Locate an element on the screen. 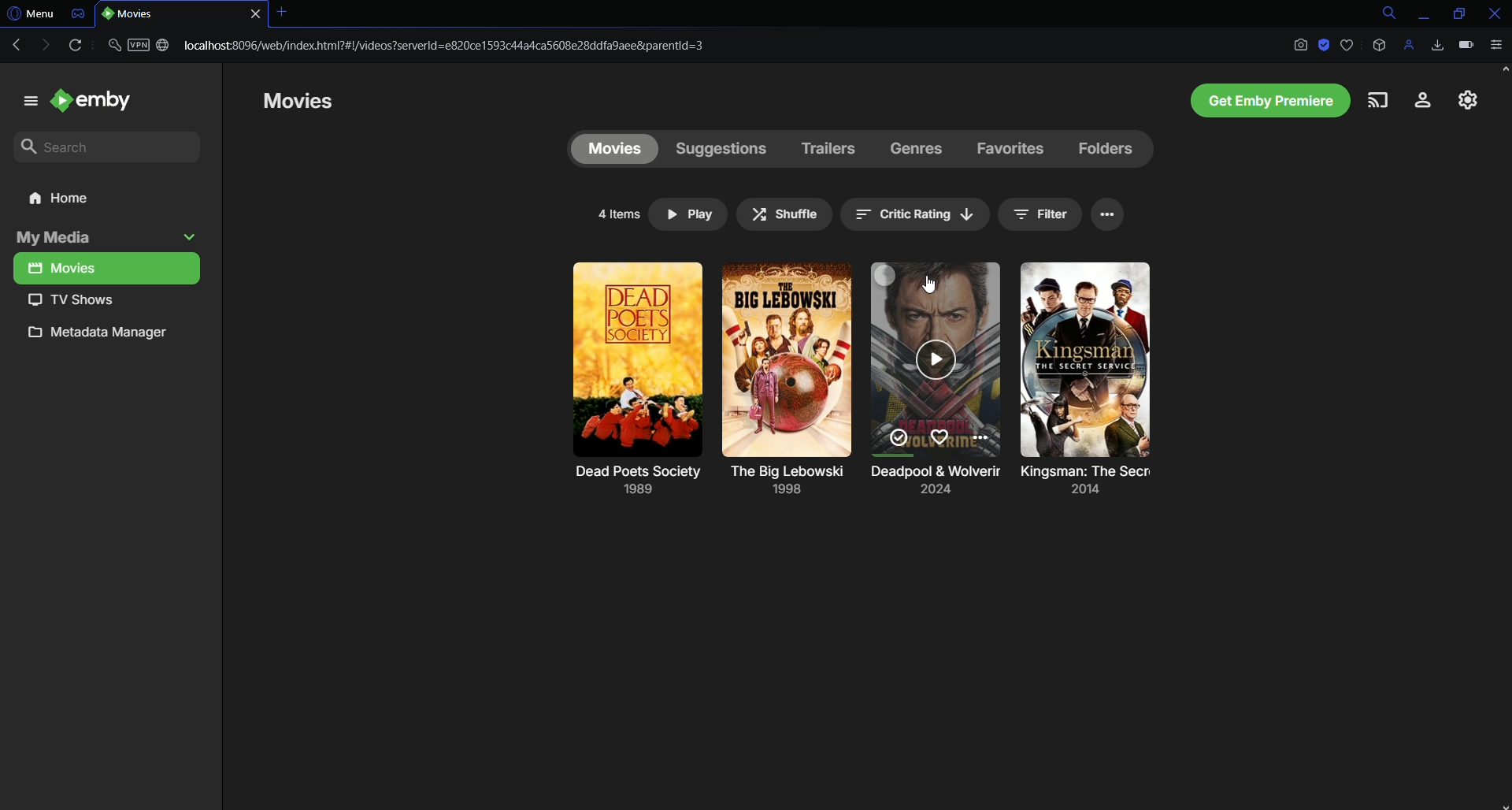 The image size is (1512, 810). Cast is located at coordinates (1377, 100).